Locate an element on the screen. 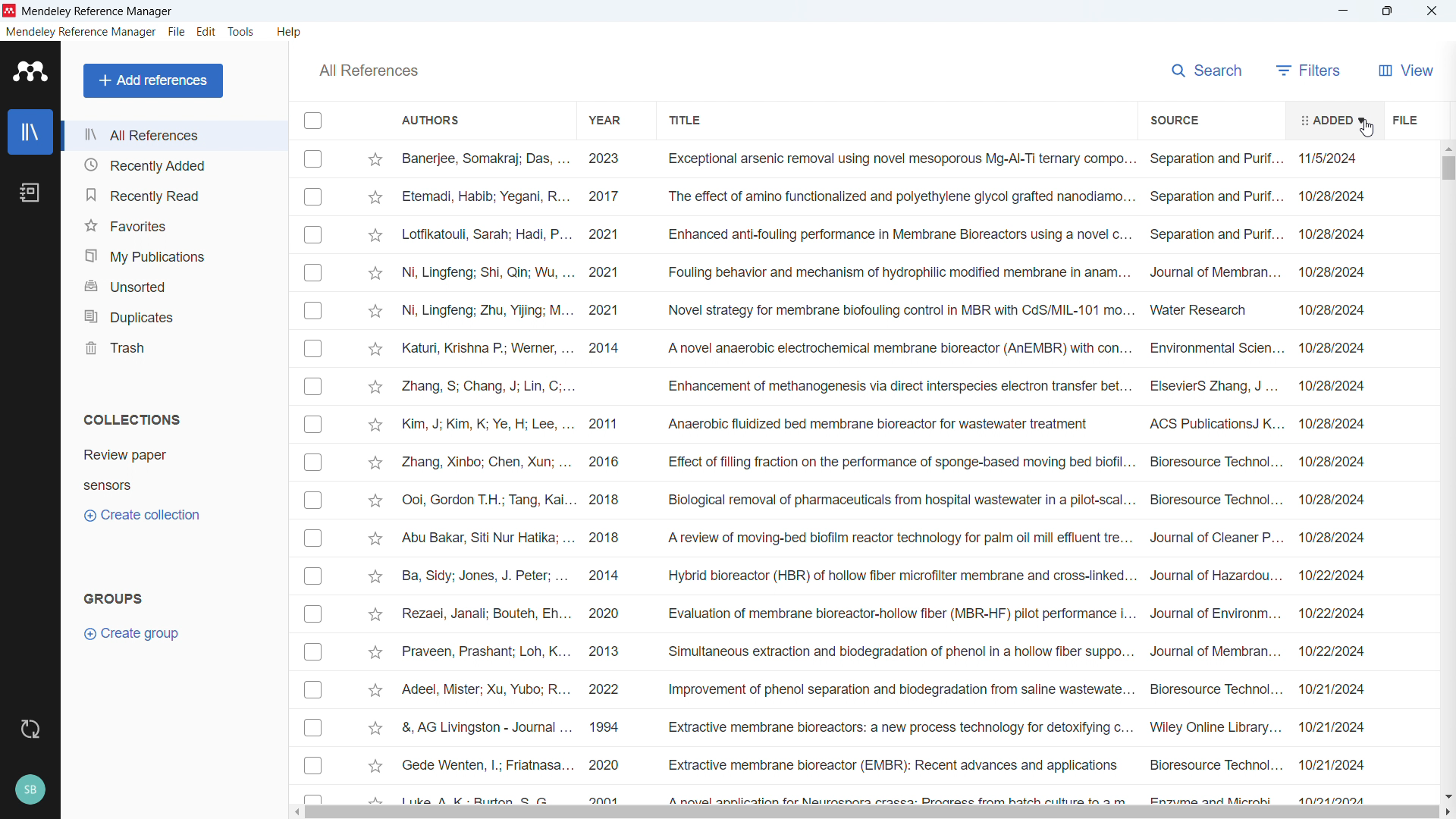  Create group  is located at coordinates (133, 633).